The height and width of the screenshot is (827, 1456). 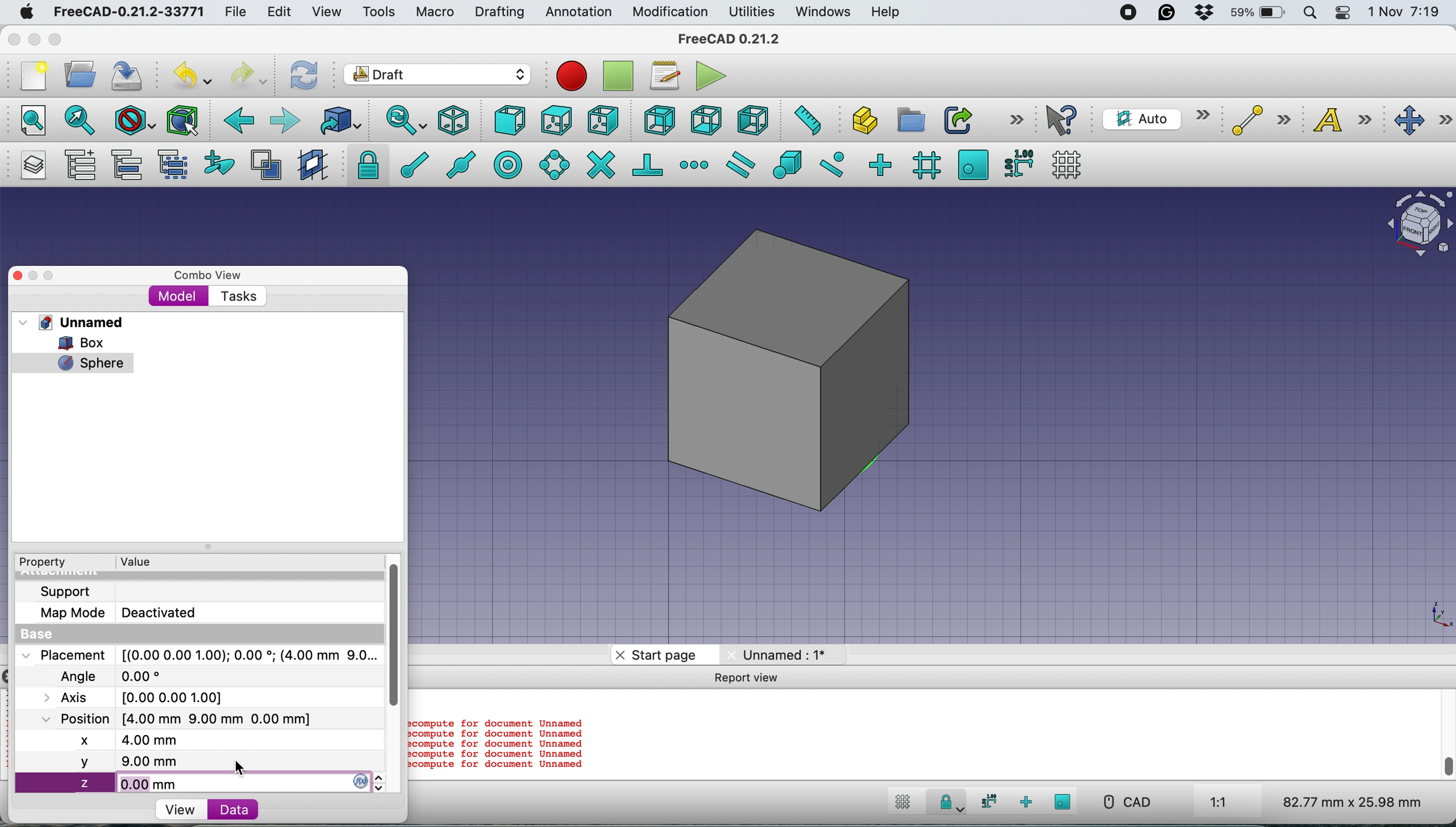 I want to click on text, so click(x=1349, y=119).